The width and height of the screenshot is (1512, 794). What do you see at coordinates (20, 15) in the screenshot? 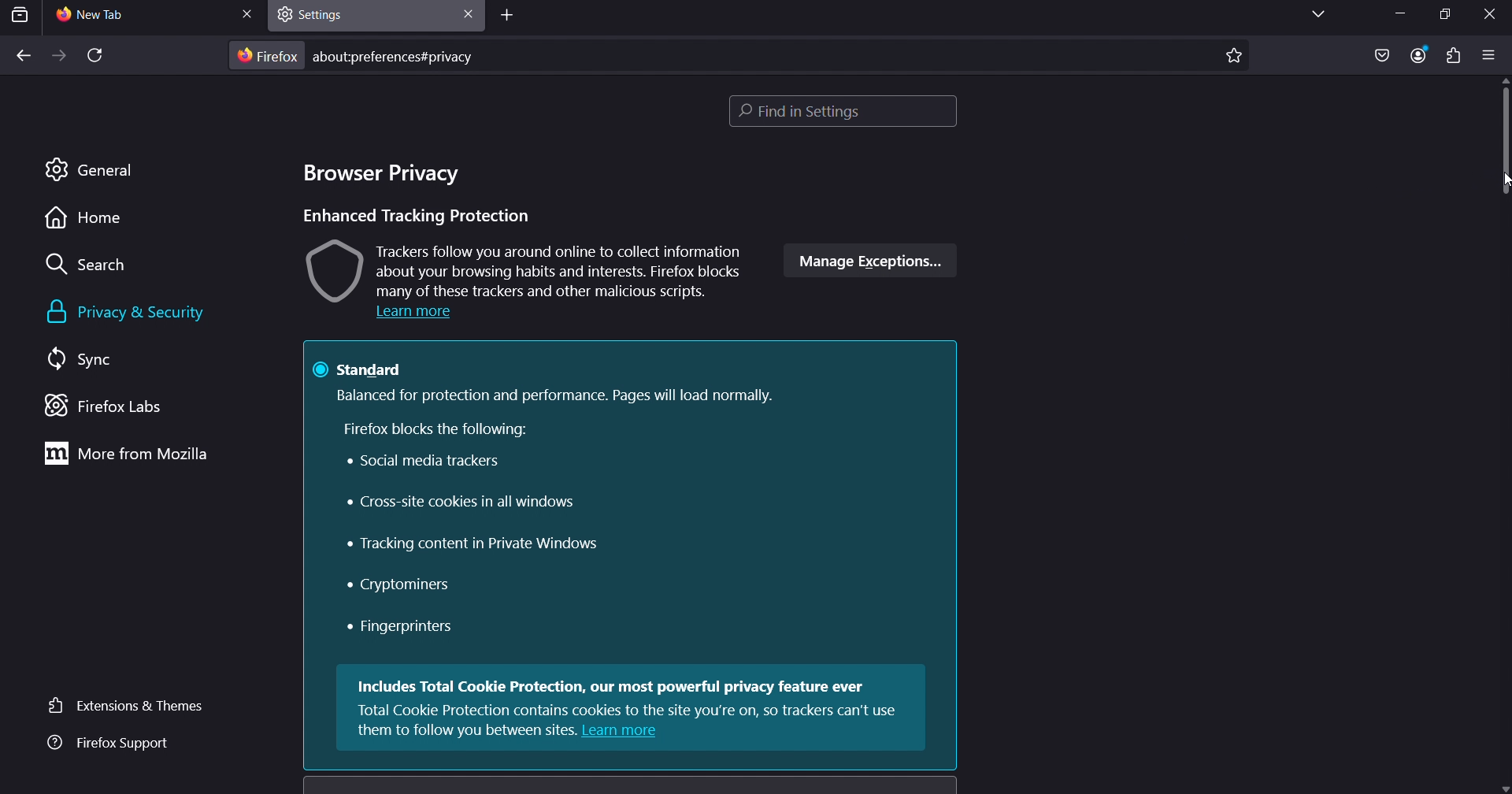
I see `search tab` at bounding box center [20, 15].